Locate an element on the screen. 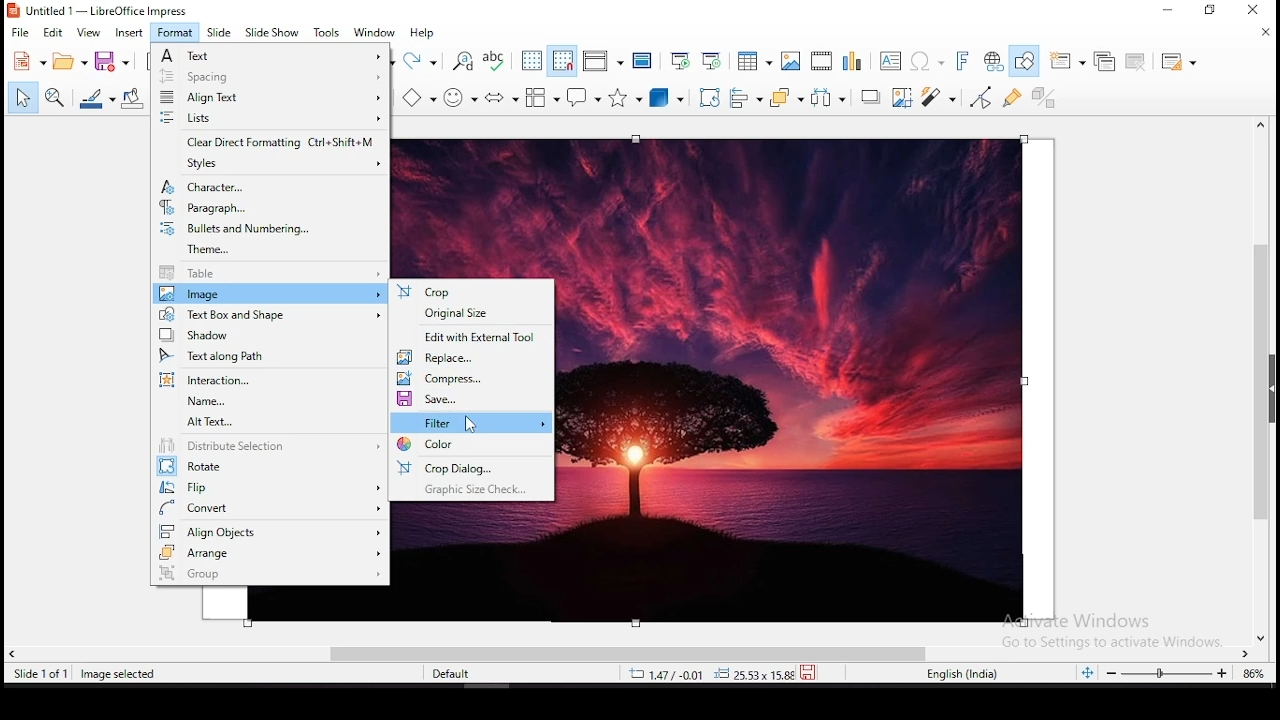  styles is located at coordinates (272, 164).